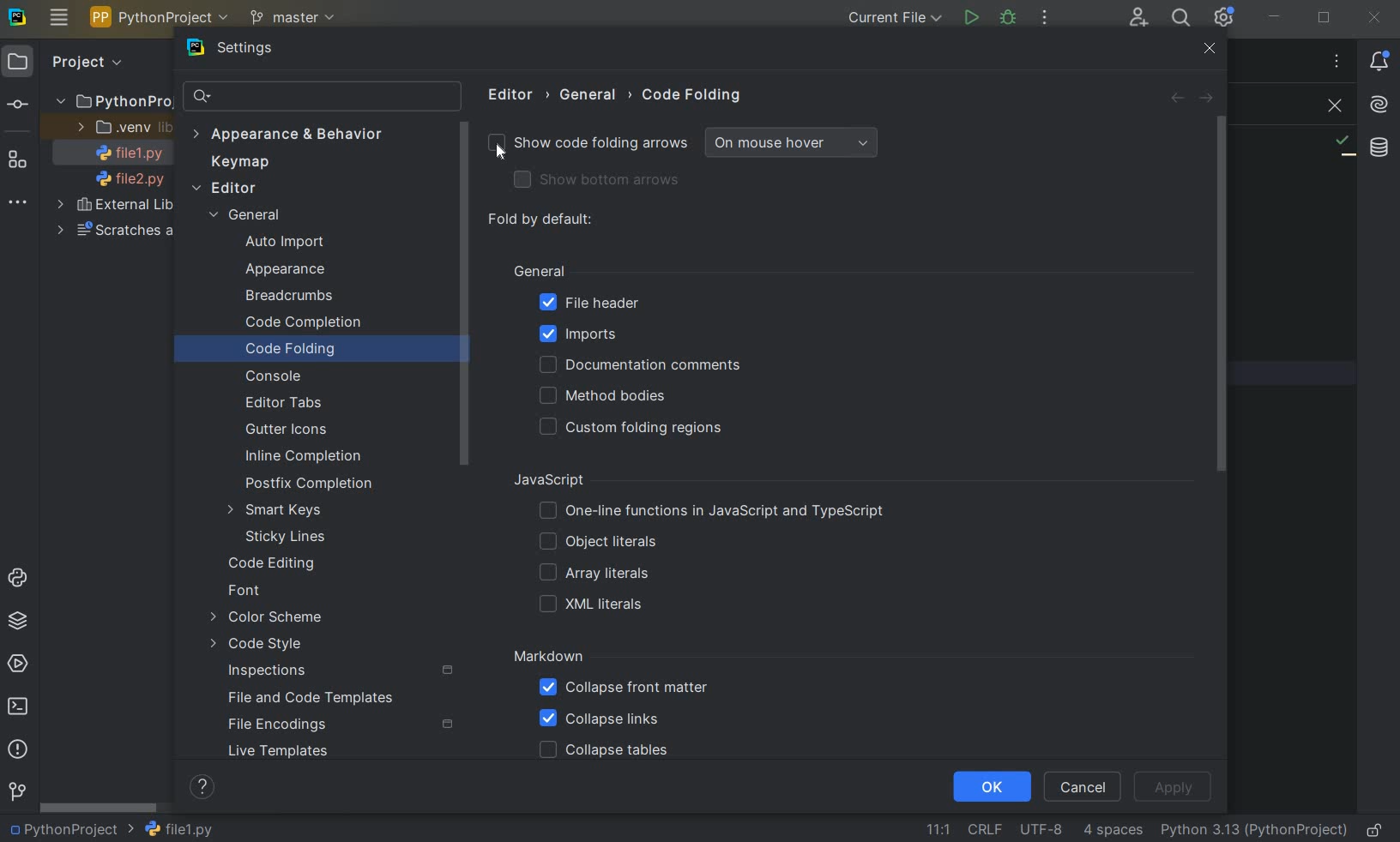 This screenshot has height=842, width=1400. Describe the element at coordinates (586, 146) in the screenshot. I see `SHOW CODE FOLDING ARROWS` at that location.